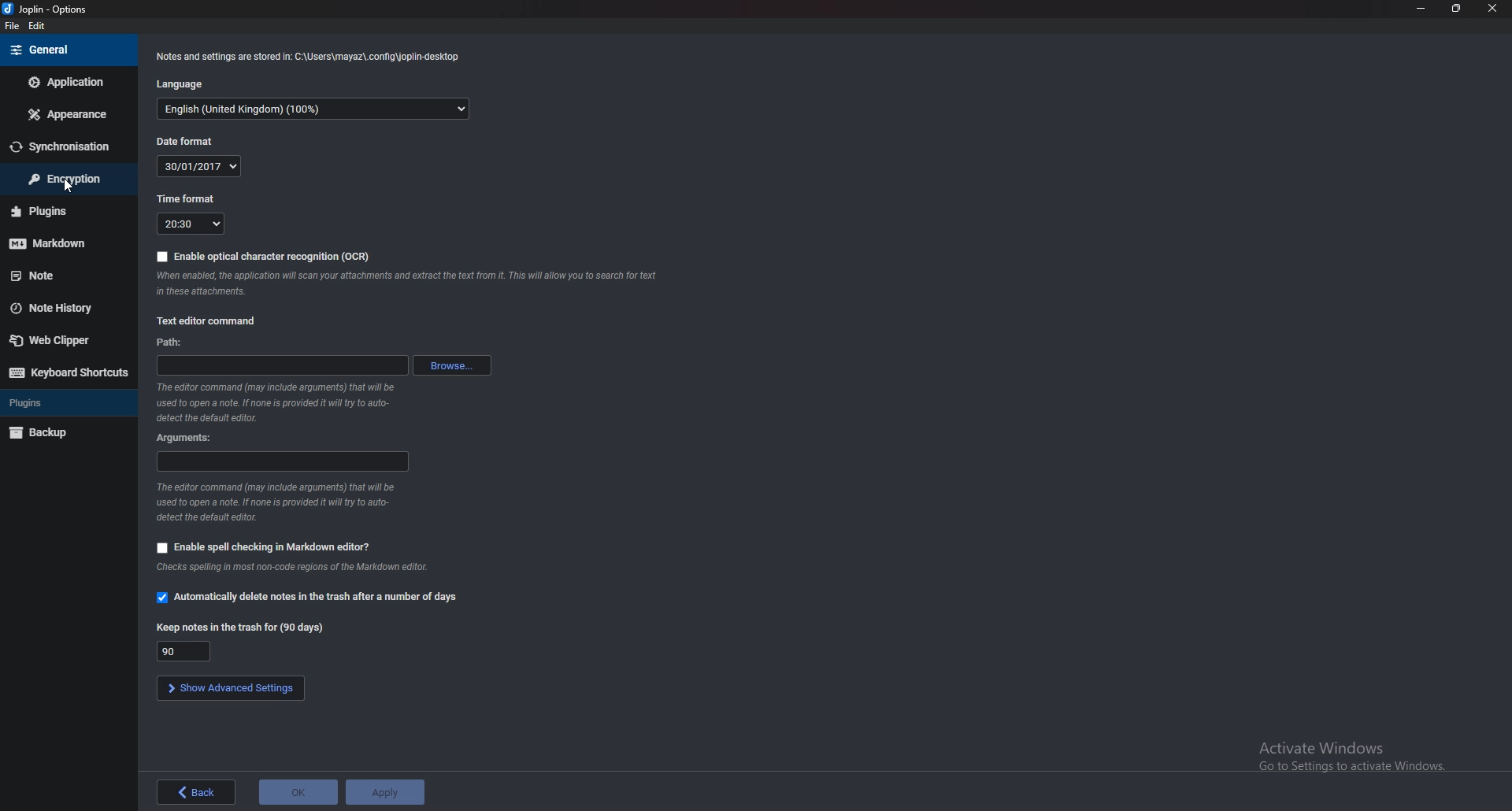 This screenshot has height=811, width=1512. Describe the element at coordinates (283, 461) in the screenshot. I see `arguments` at that location.